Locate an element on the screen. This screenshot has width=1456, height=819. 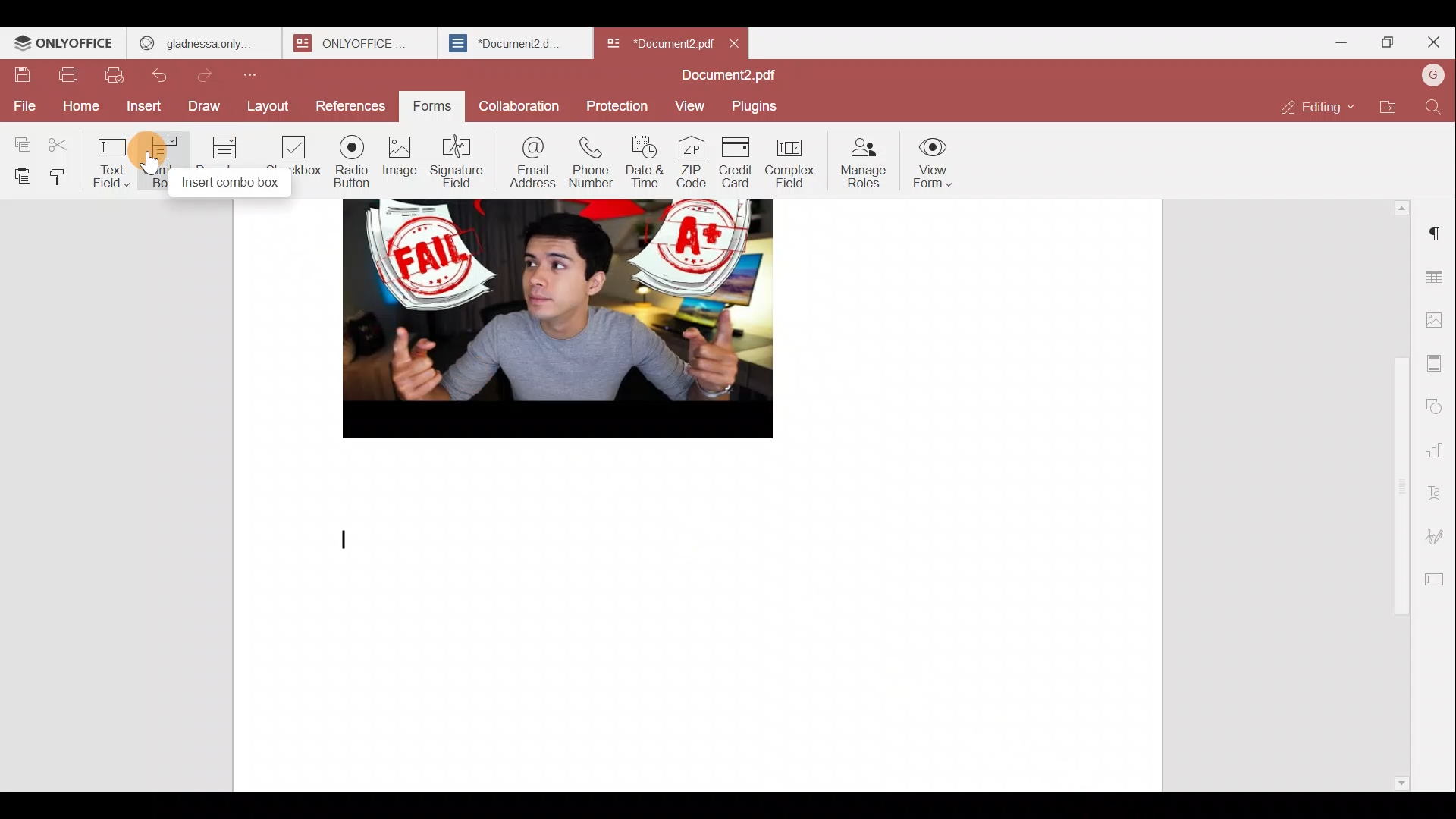
Quick print is located at coordinates (114, 76).